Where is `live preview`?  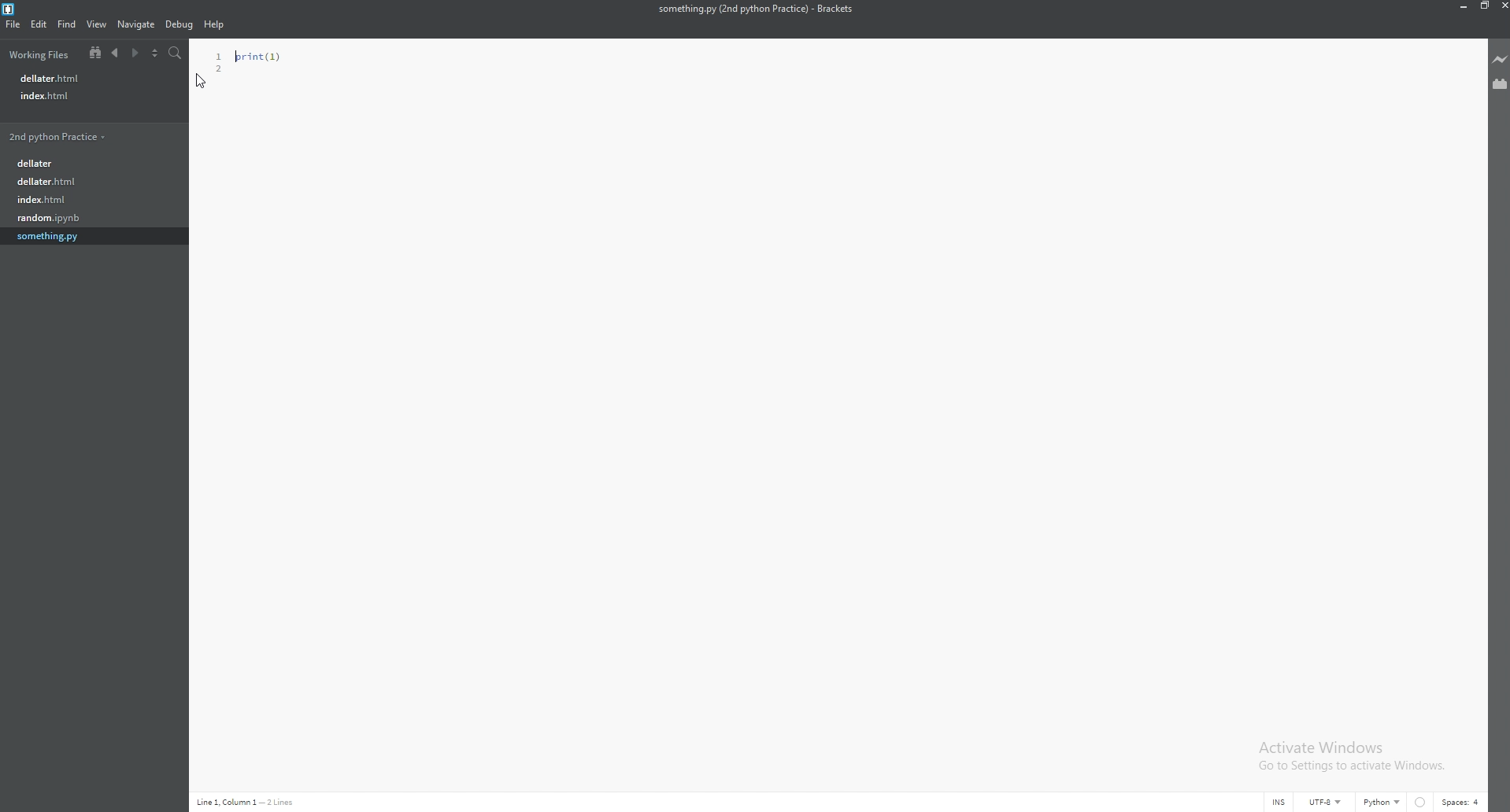
live preview is located at coordinates (1500, 59).